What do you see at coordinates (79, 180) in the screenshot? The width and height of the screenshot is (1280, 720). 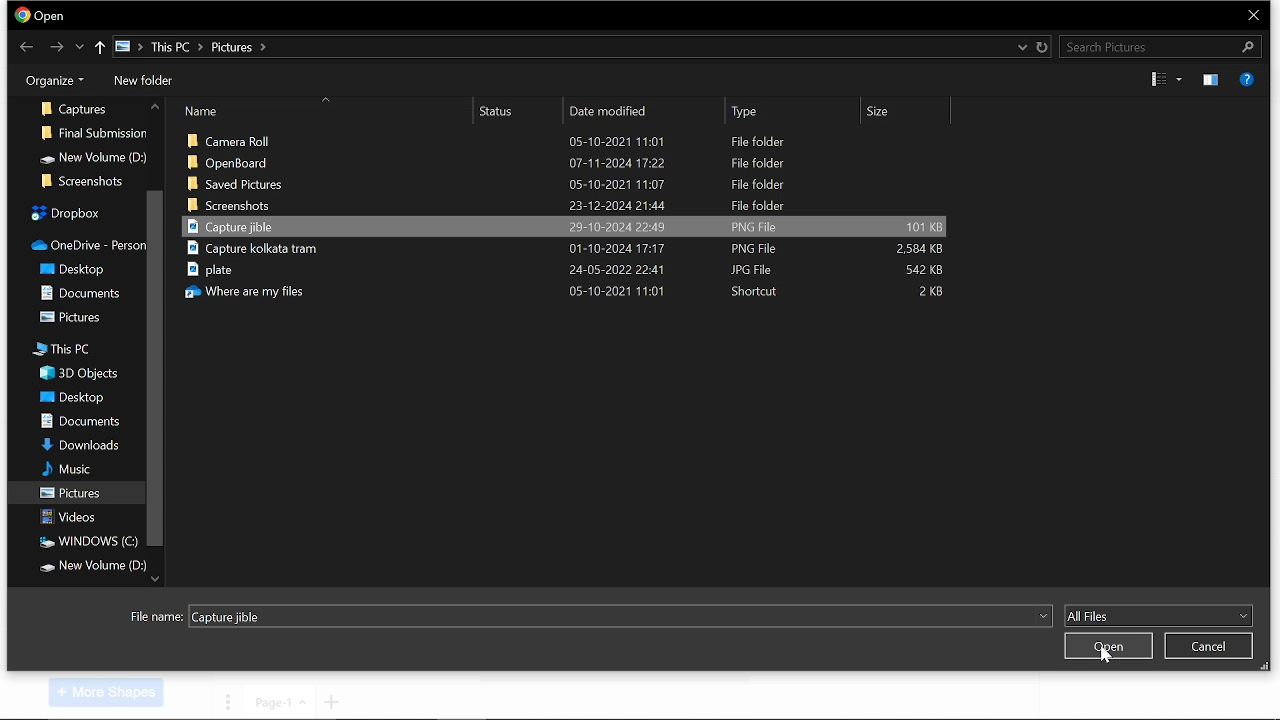 I see `folders` at bounding box center [79, 180].